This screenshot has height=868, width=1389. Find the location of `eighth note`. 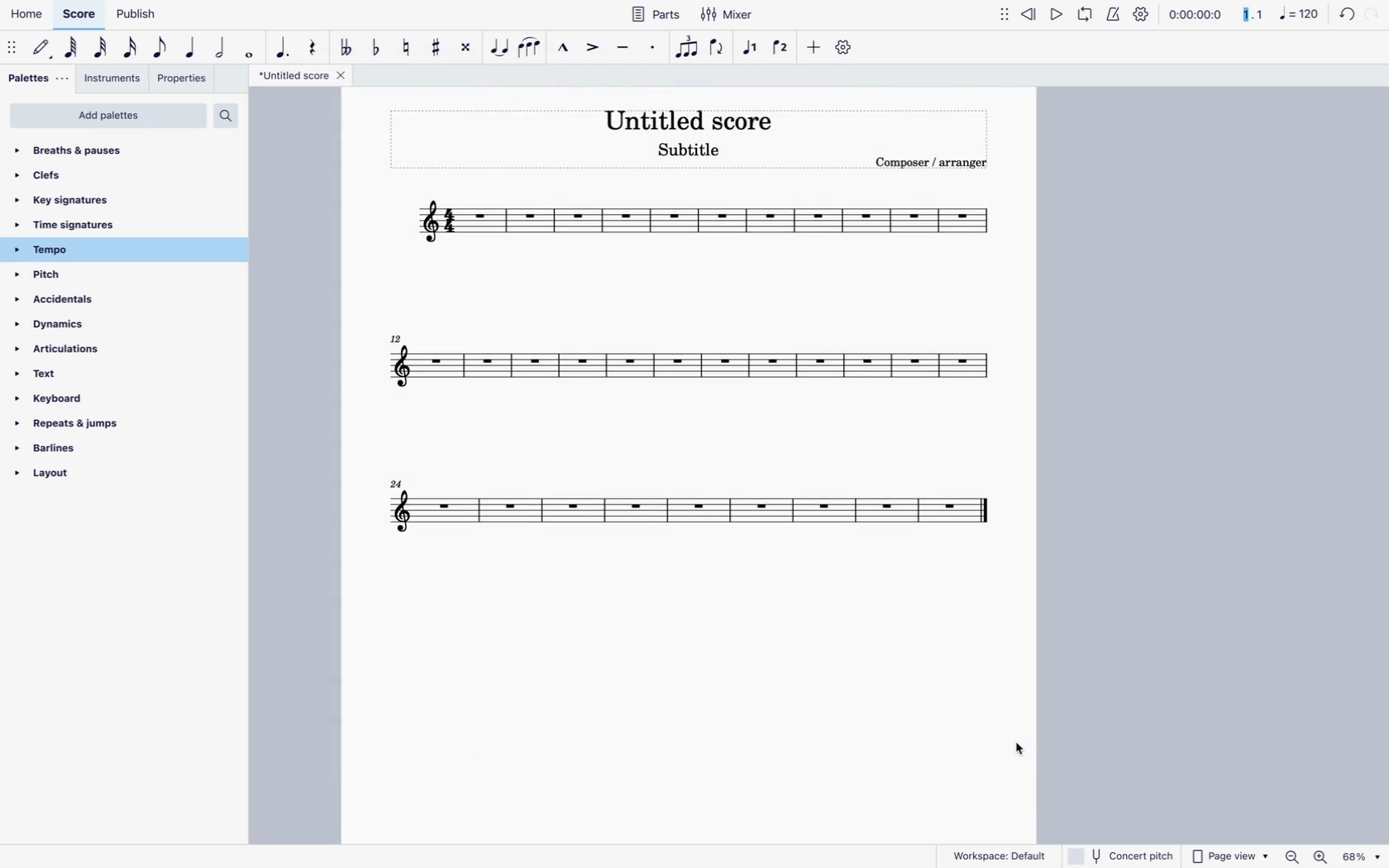

eighth note is located at coordinates (161, 48).